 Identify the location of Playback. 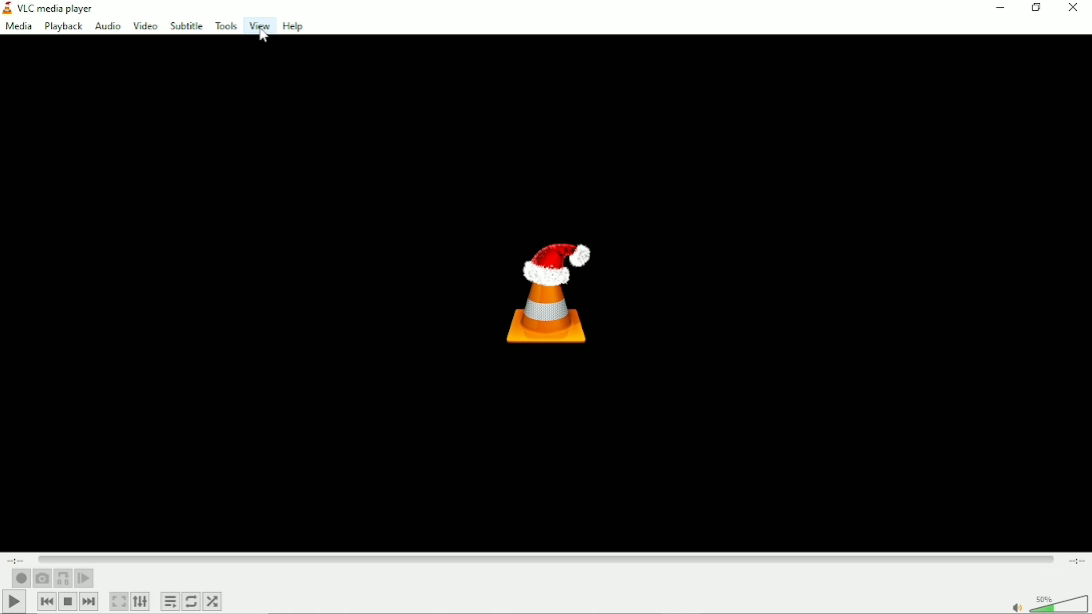
(64, 26).